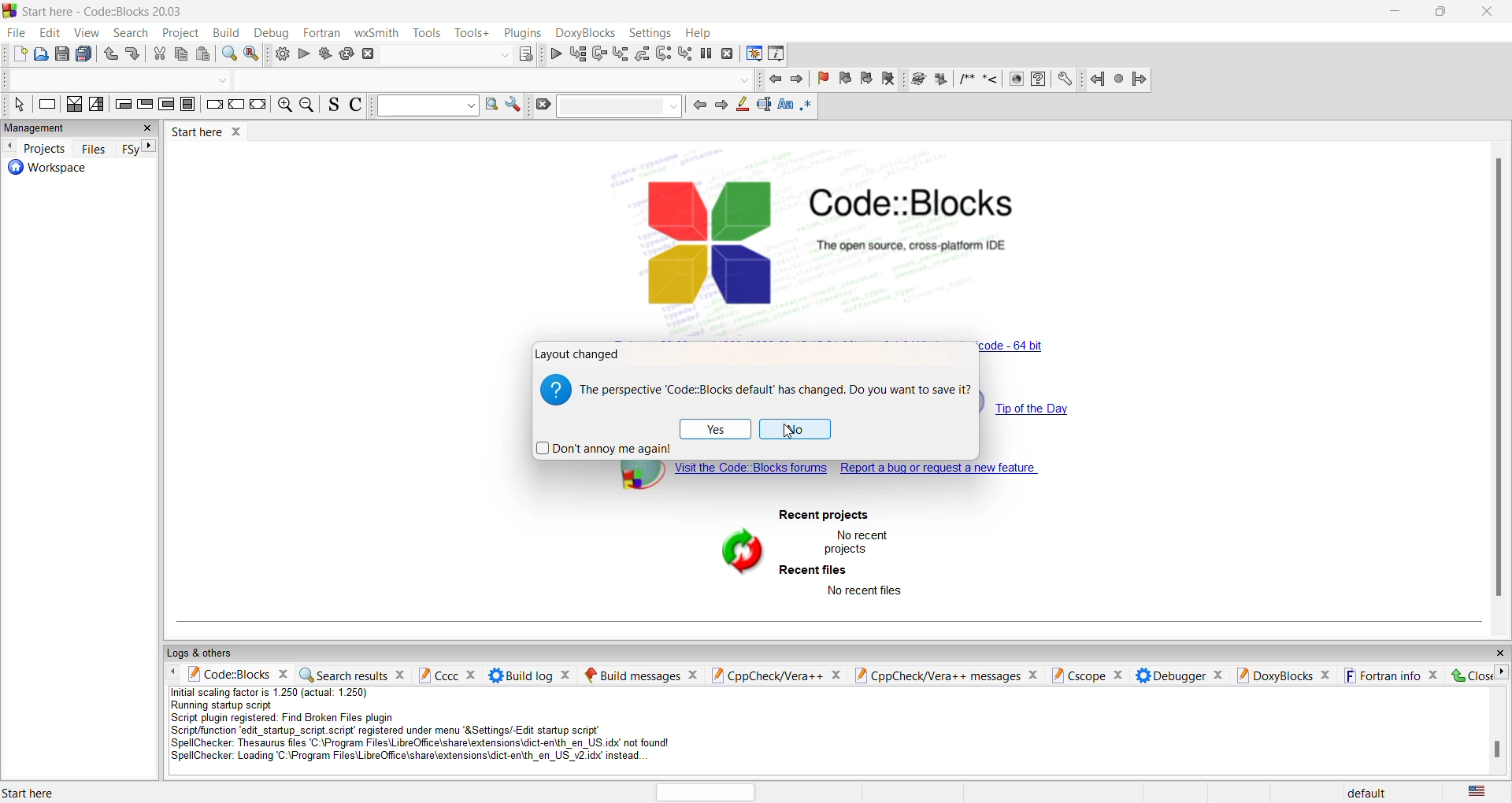 This screenshot has width=1512, height=803. I want to click on default, so click(1365, 794).